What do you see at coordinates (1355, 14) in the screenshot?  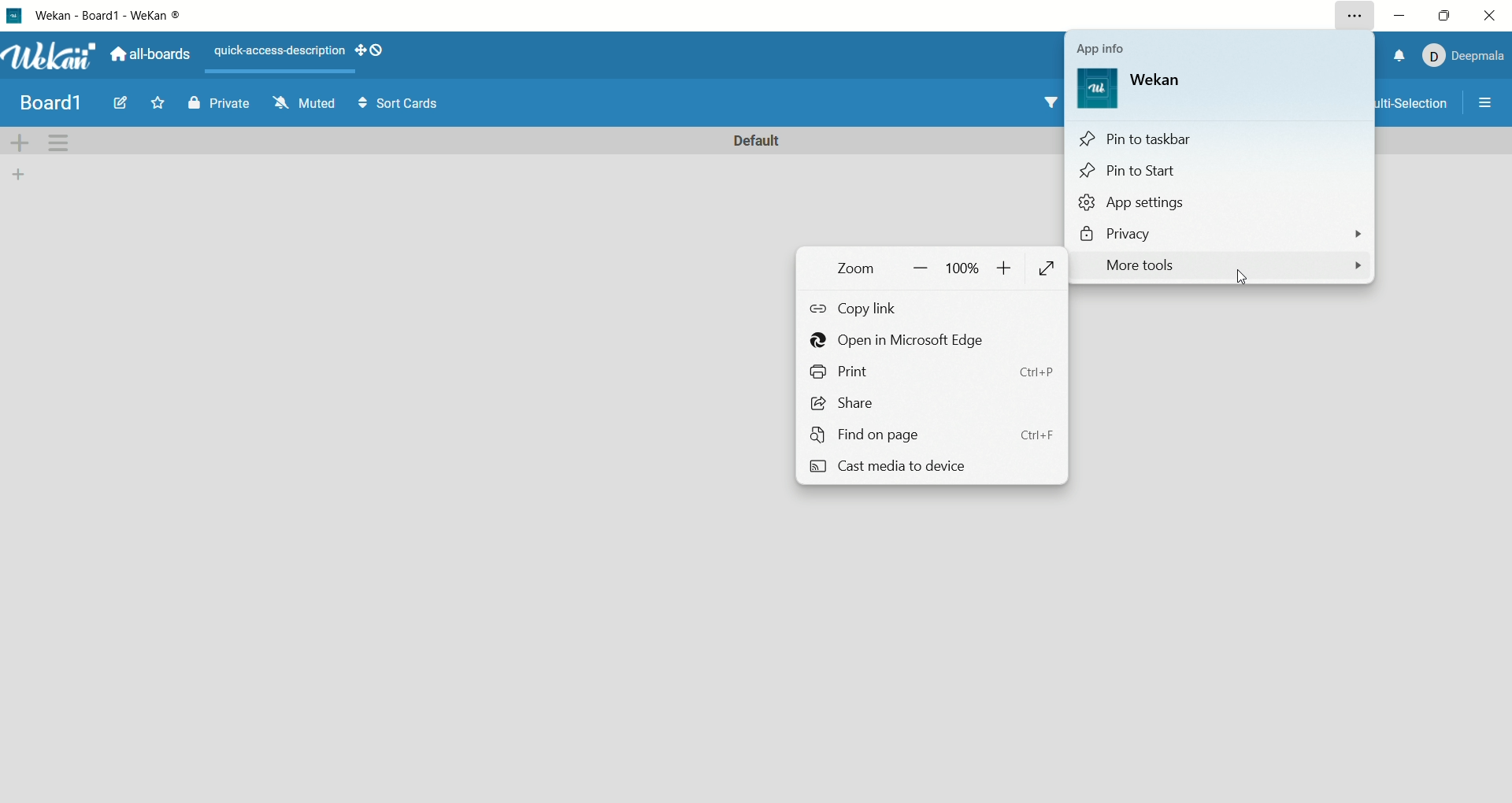 I see `settings and more` at bounding box center [1355, 14].